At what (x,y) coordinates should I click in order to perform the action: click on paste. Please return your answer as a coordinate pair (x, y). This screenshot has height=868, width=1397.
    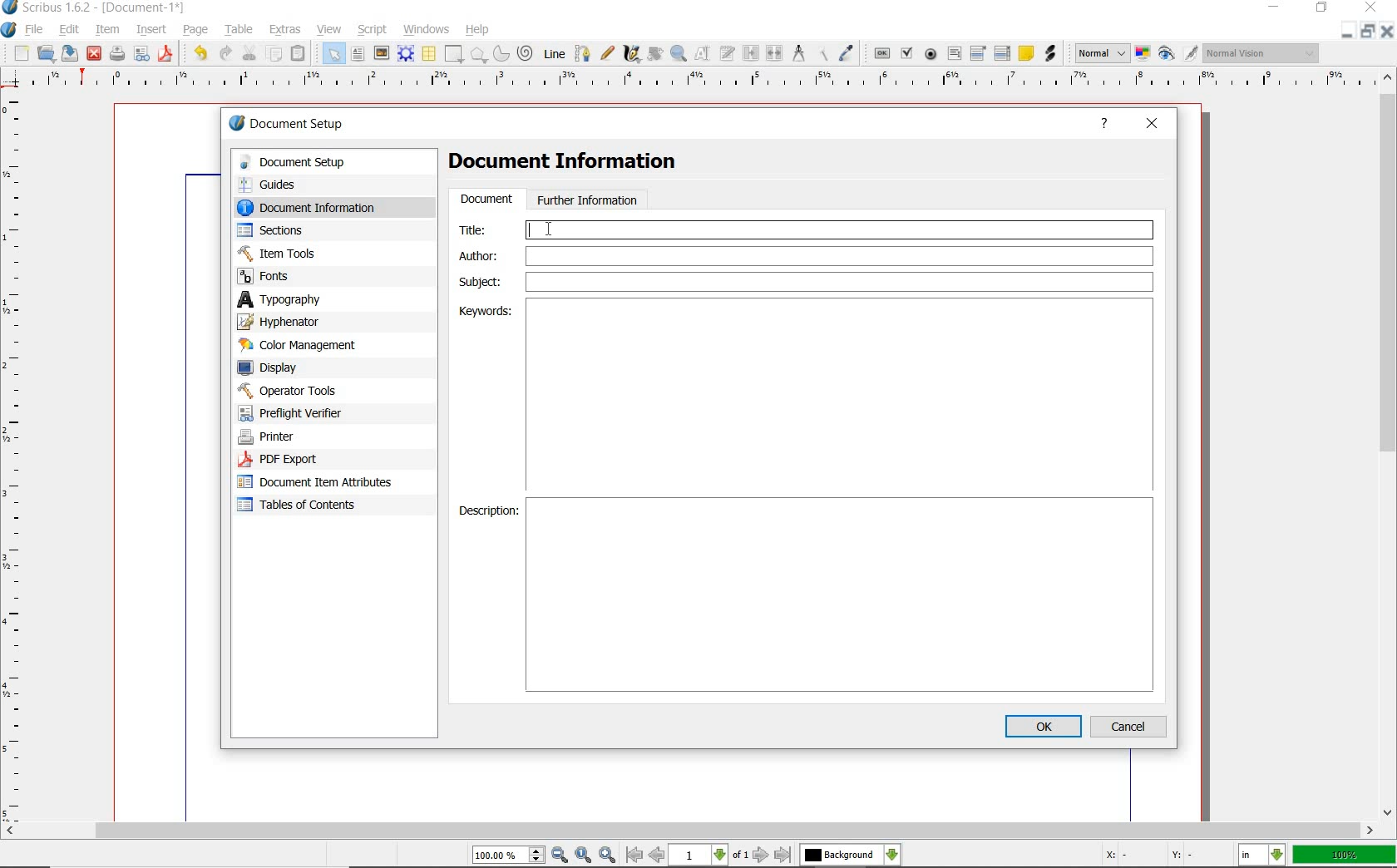
    Looking at the image, I should click on (301, 52).